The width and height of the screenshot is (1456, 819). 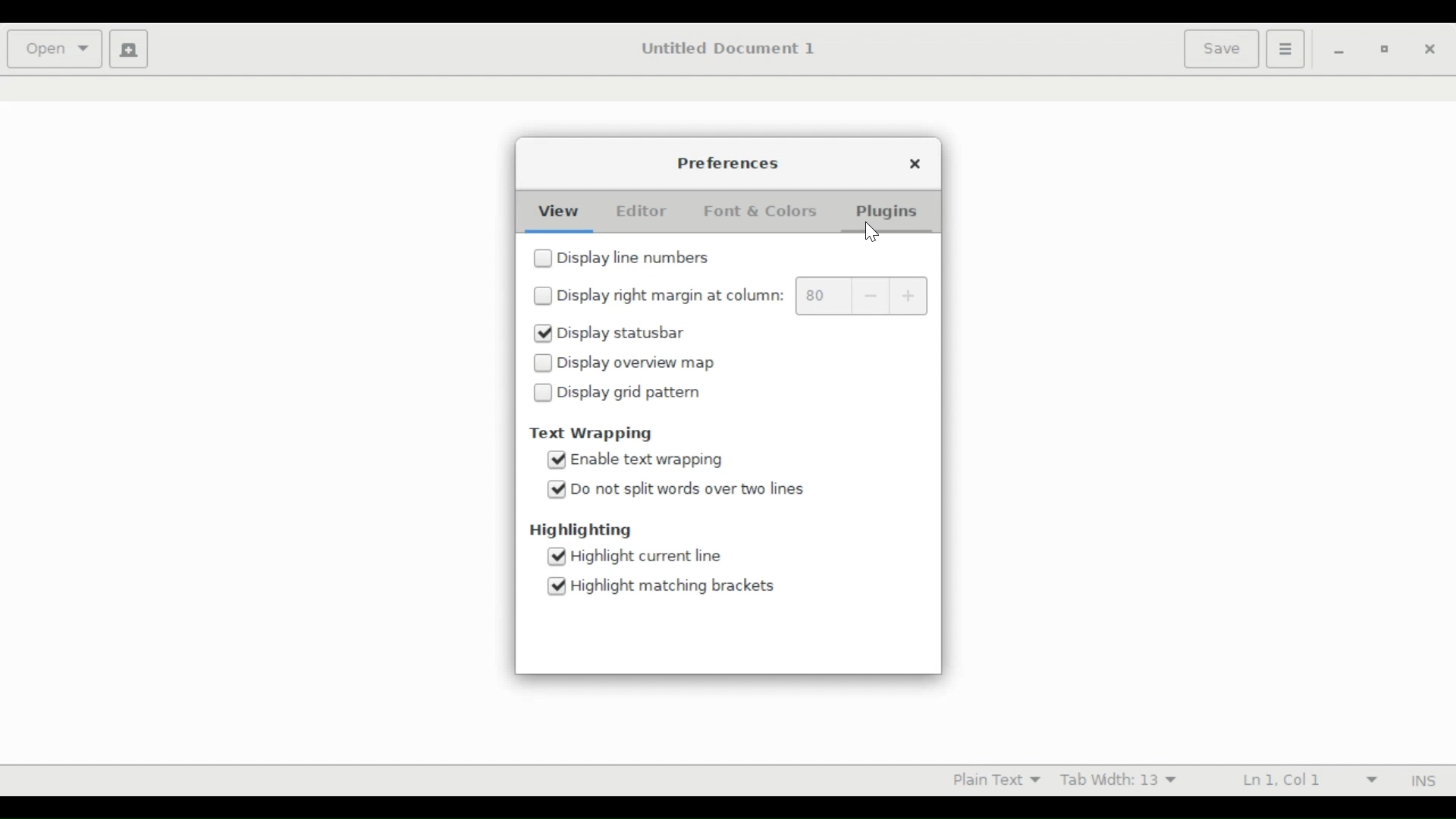 What do you see at coordinates (672, 295) in the screenshot?
I see `(un)check Display right margin at column` at bounding box center [672, 295].